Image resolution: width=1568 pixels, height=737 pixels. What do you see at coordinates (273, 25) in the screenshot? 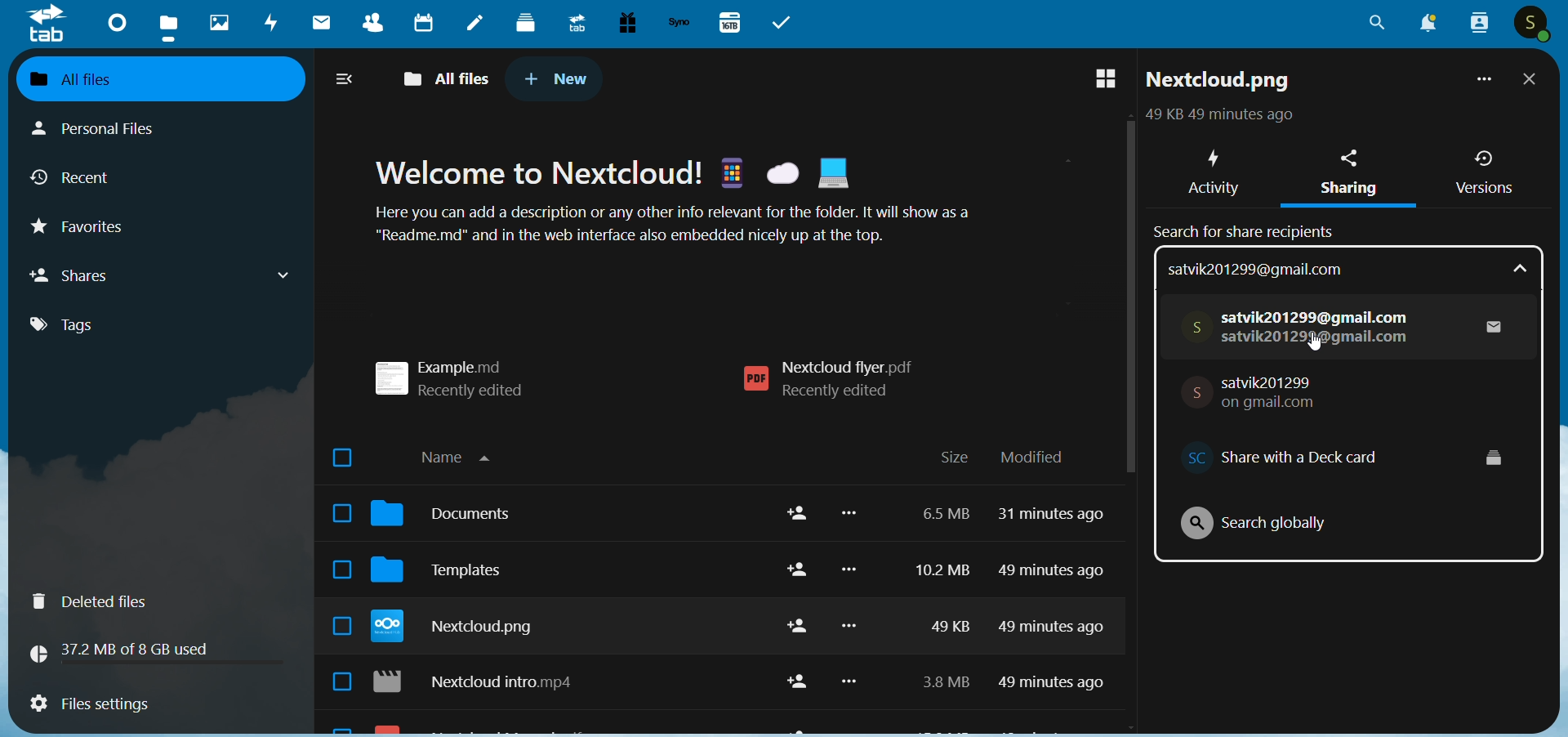
I see `activity` at bounding box center [273, 25].